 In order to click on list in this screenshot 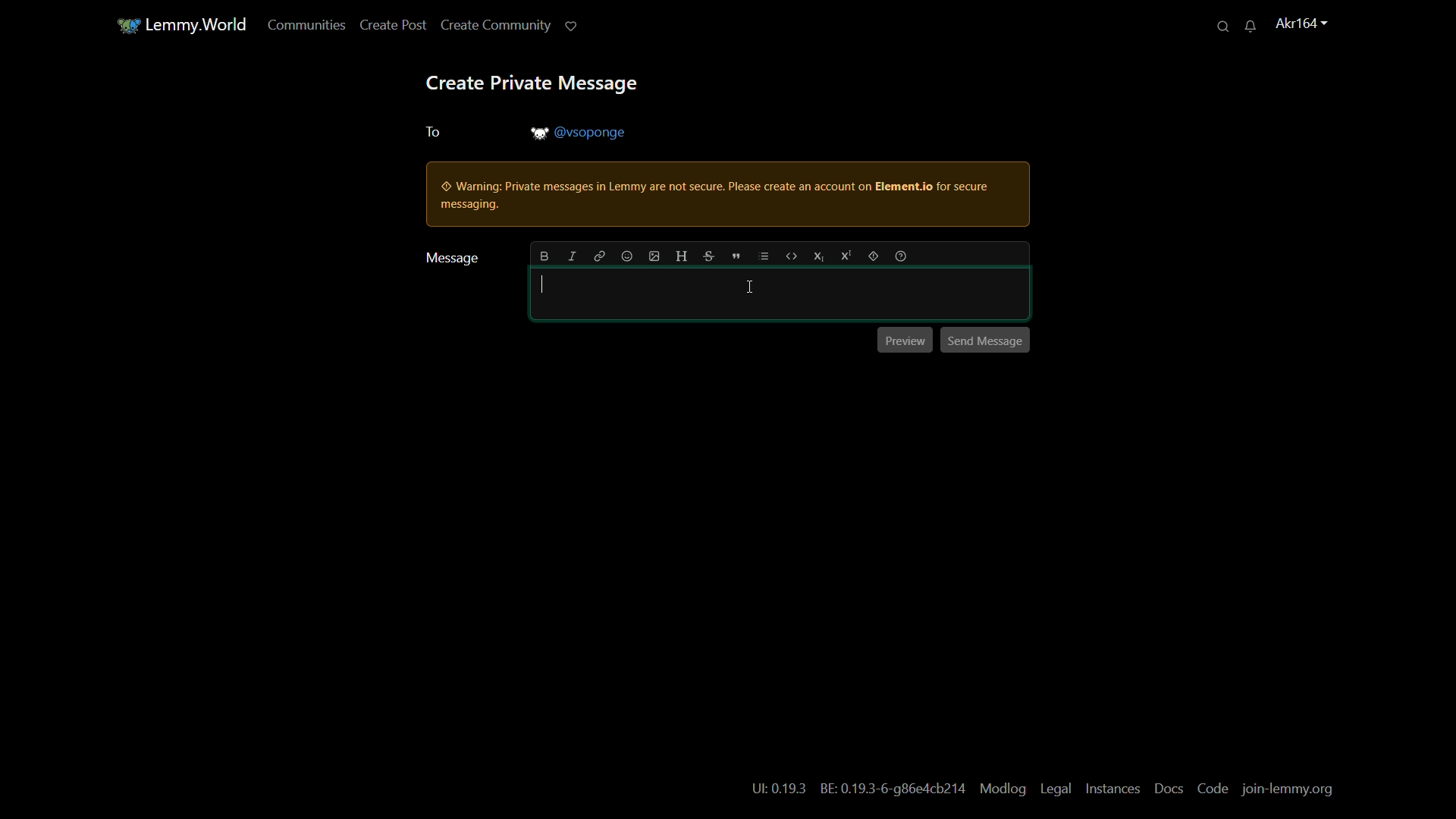, I will do `click(765, 256)`.